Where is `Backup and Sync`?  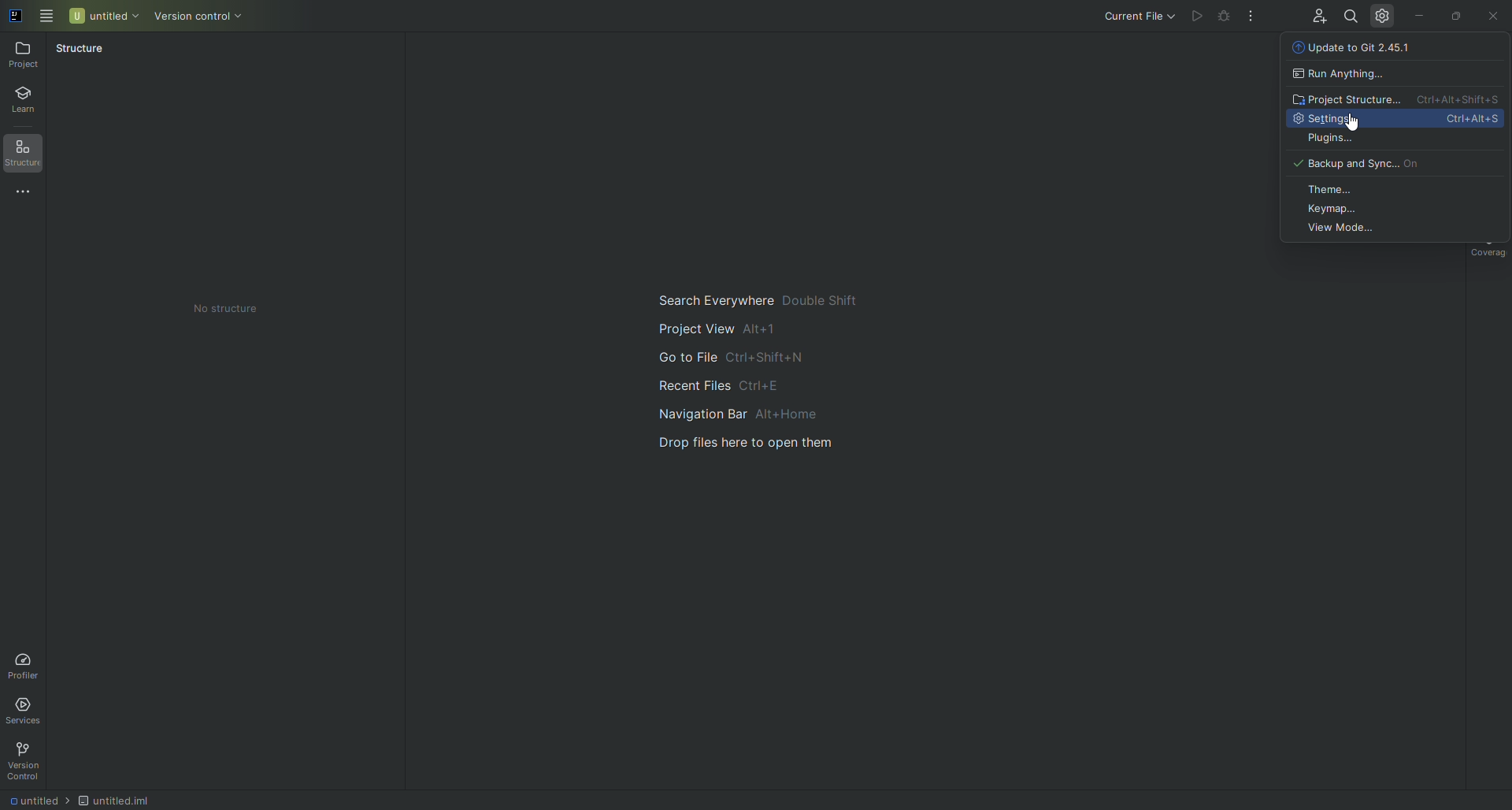 Backup and Sync is located at coordinates (1396, 163).